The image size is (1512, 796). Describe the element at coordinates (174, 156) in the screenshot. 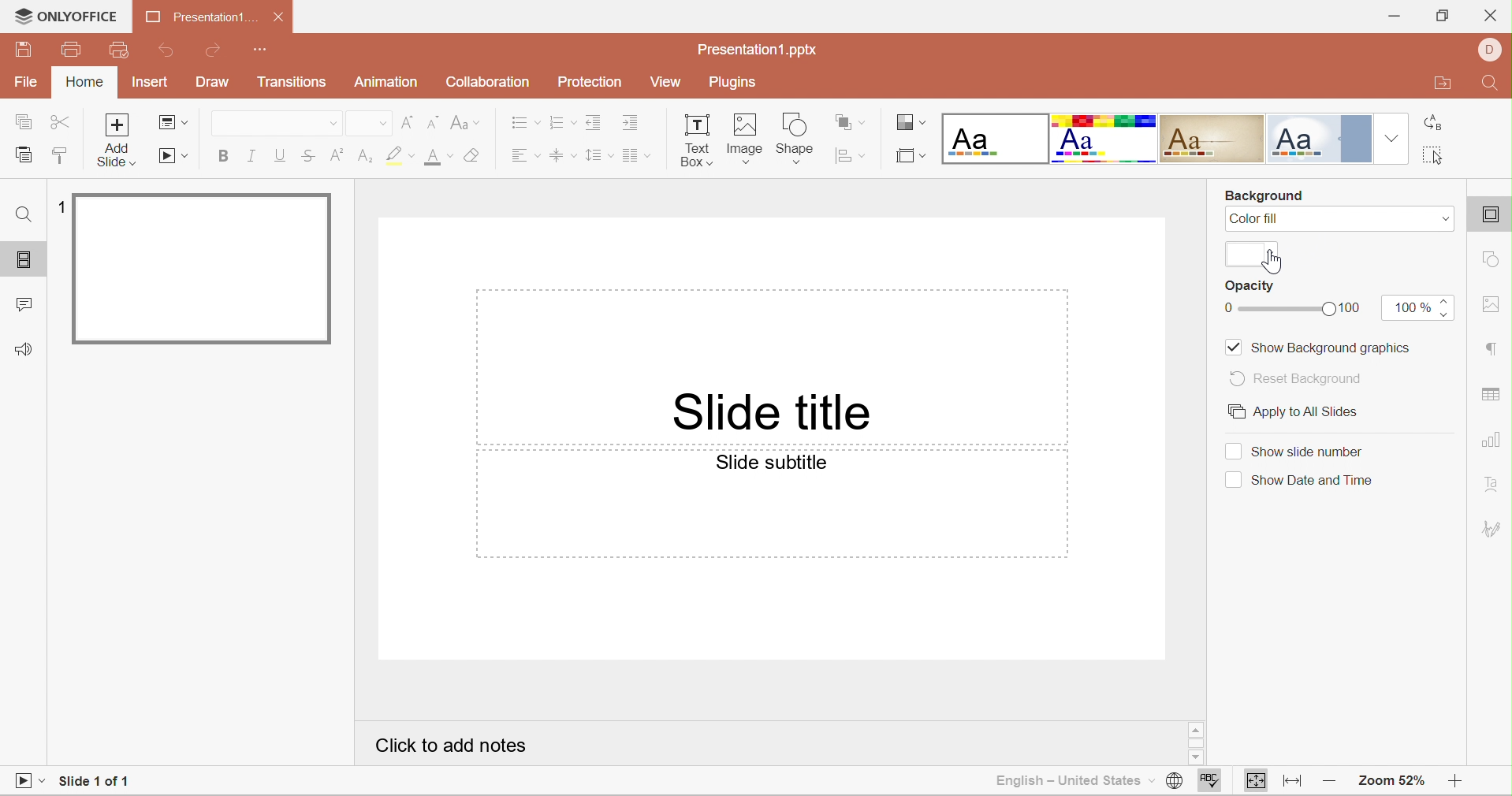

I see `Start Slideshow` at that location.